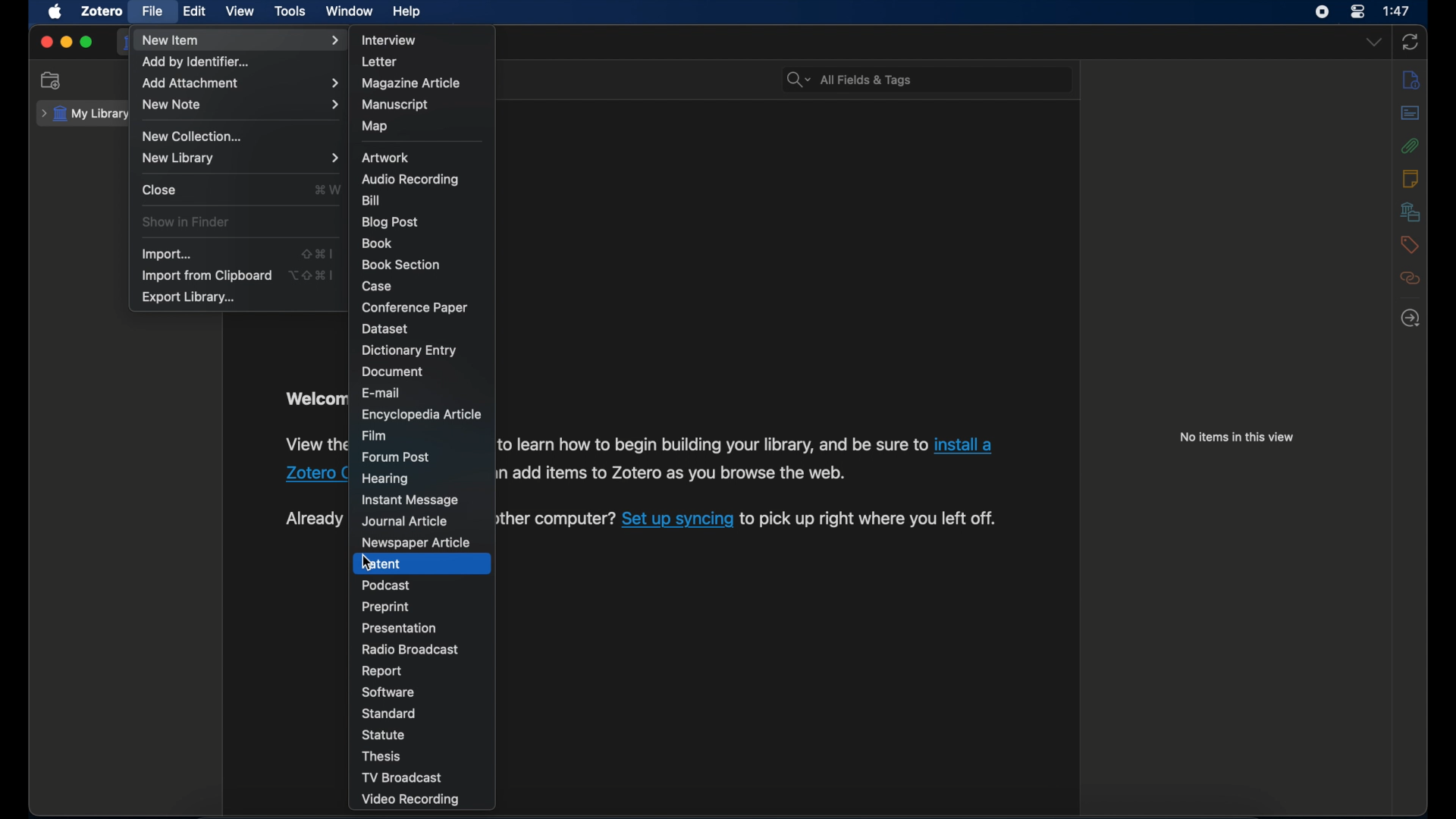  I want to click on interview, so click(390, 40).